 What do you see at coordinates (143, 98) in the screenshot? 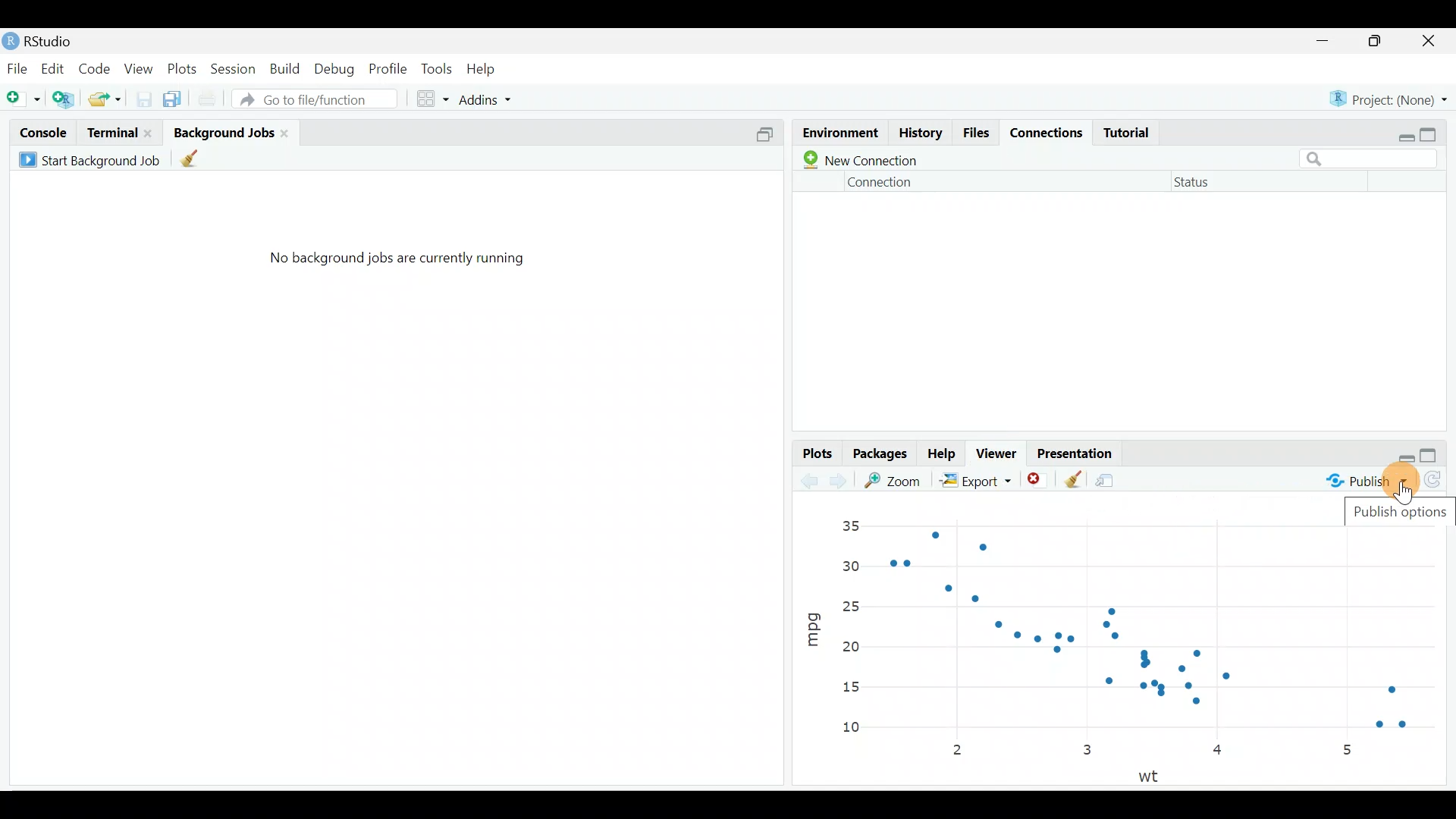
I see `Save current document` at bounding box center [143, 98].